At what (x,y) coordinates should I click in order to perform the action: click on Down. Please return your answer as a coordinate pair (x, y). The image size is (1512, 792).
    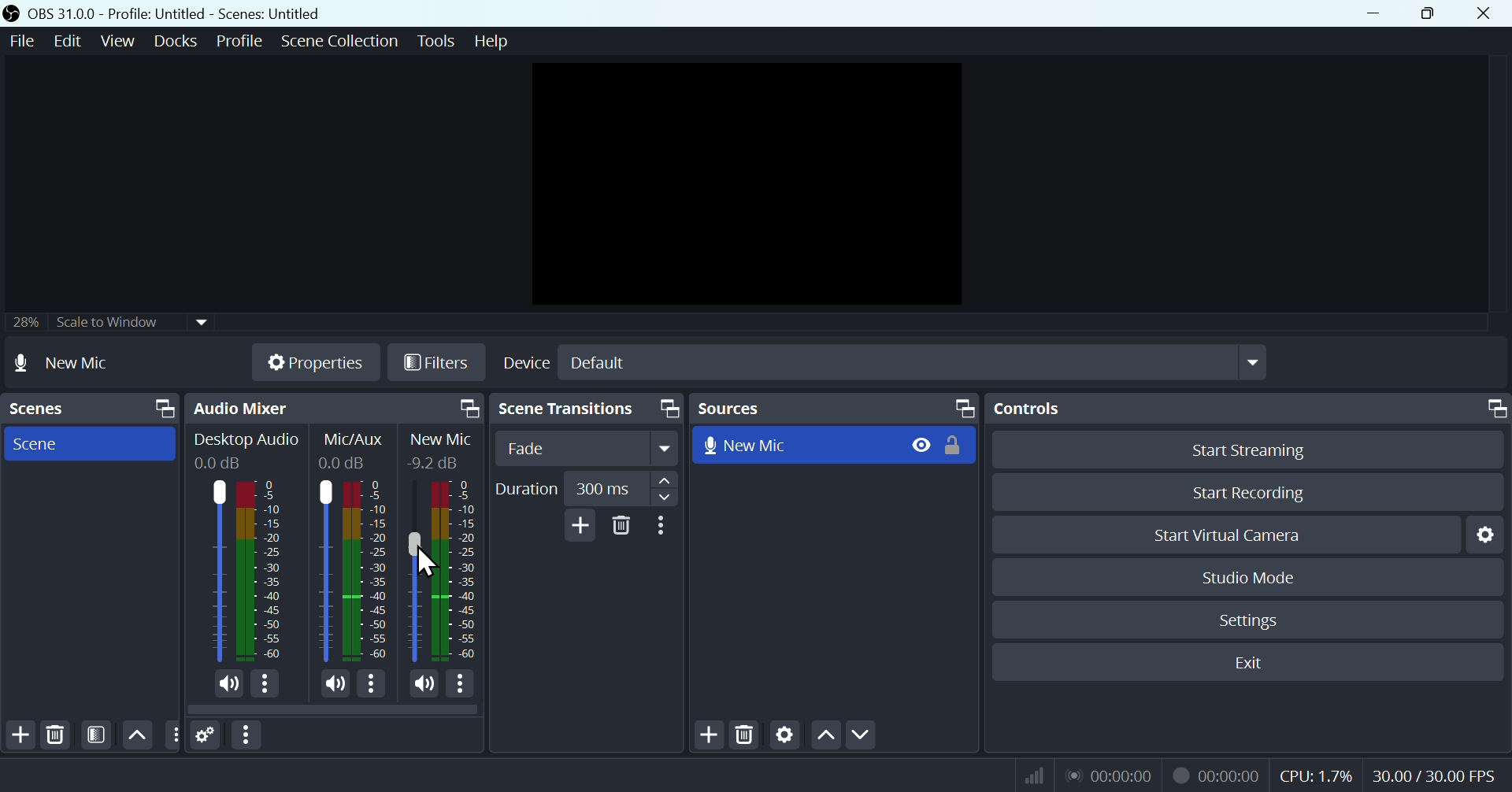
    Looking at the image, I should click on (861, 736).